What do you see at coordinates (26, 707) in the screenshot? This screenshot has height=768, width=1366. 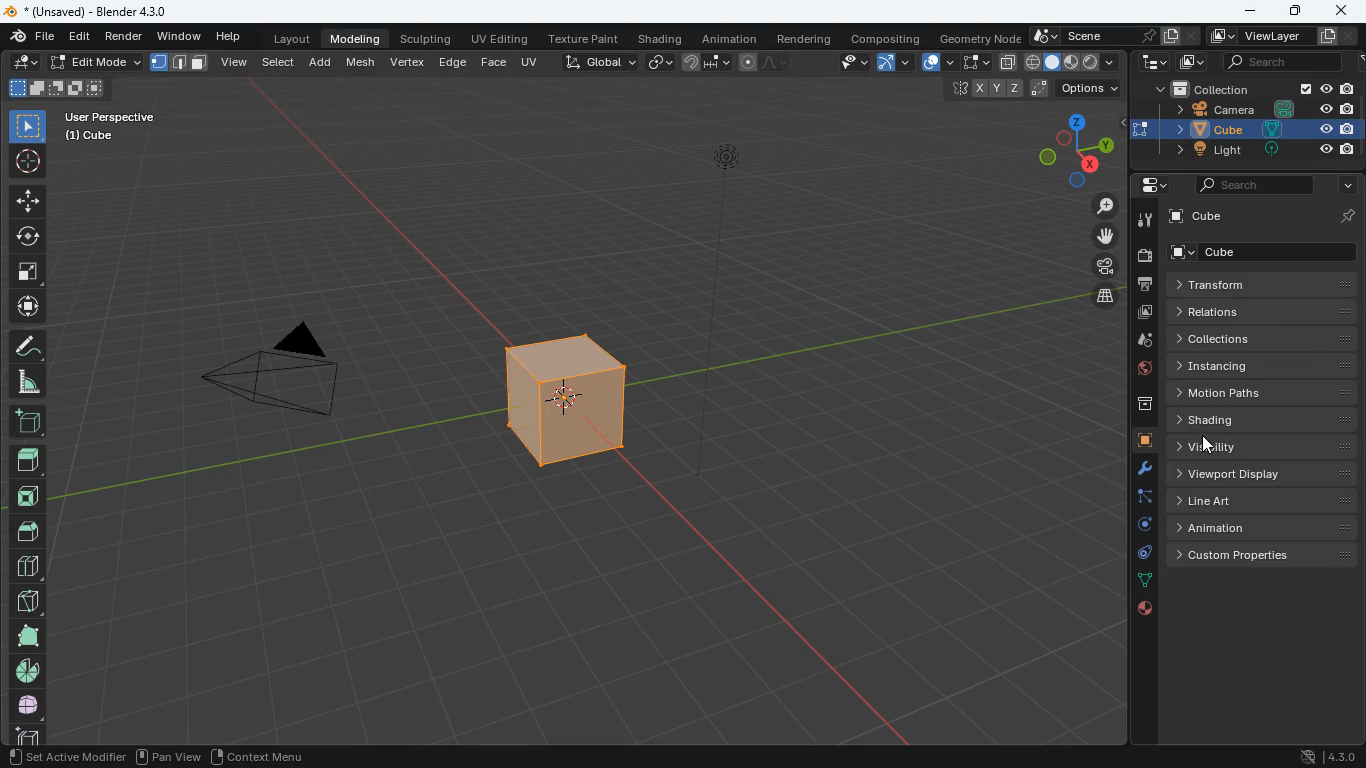 I see `globe` at bounding box center [26, 707].